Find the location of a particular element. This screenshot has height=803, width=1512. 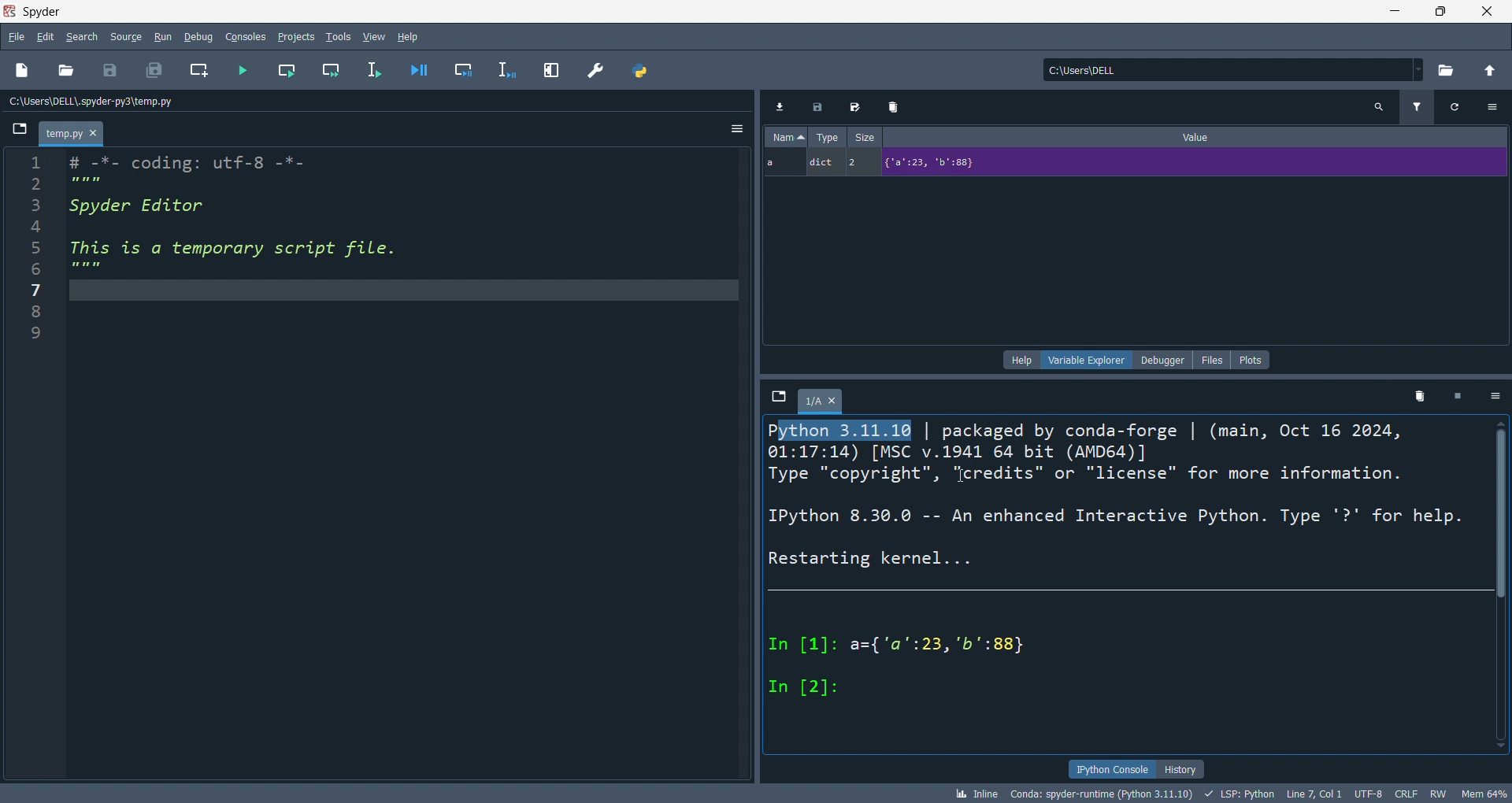

save is located at coordinates (112, 71).